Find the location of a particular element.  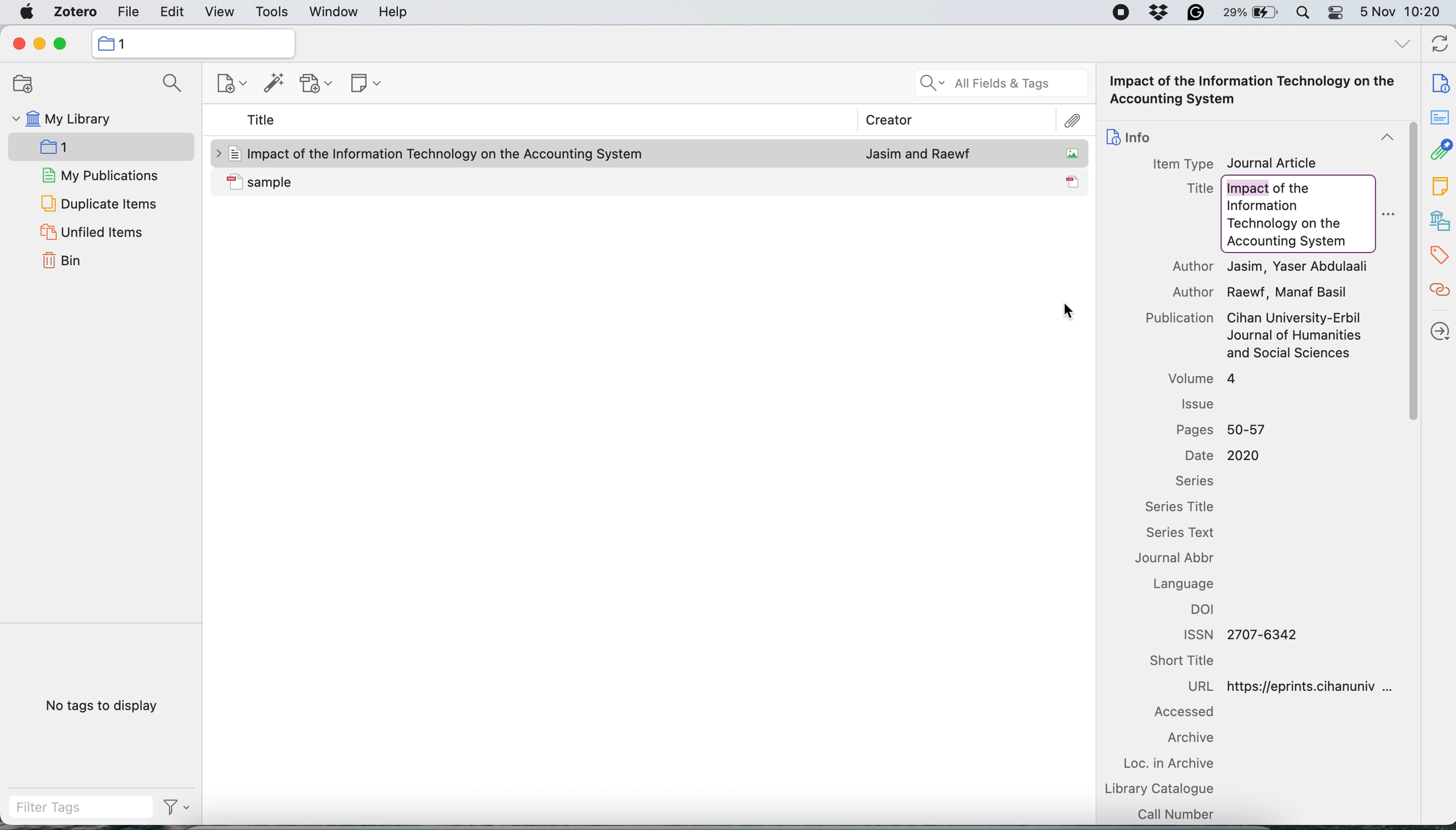

Pages 50-57 is located at coordinates (1220, 430).